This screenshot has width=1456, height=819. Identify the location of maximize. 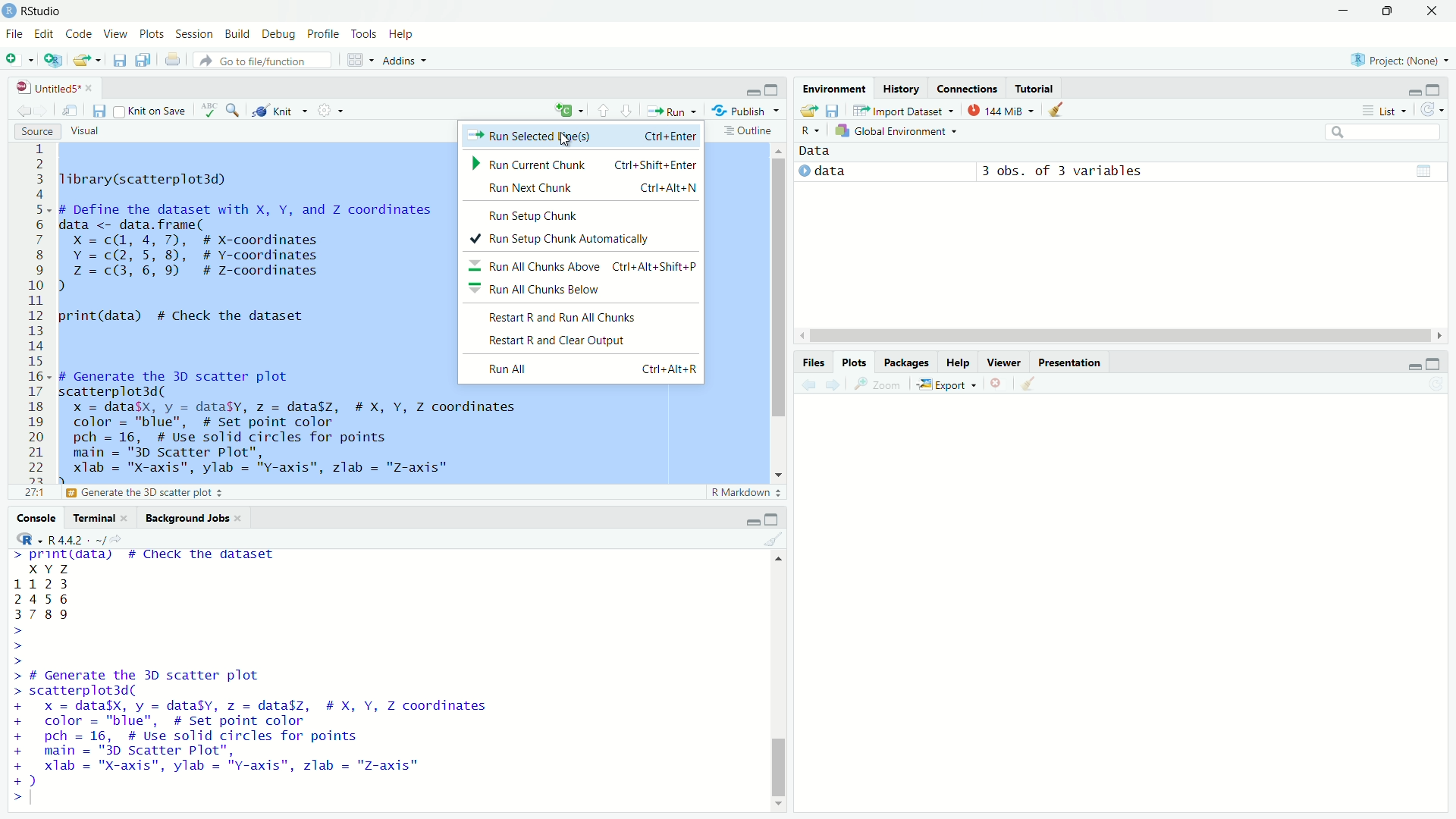
(1388, 11).